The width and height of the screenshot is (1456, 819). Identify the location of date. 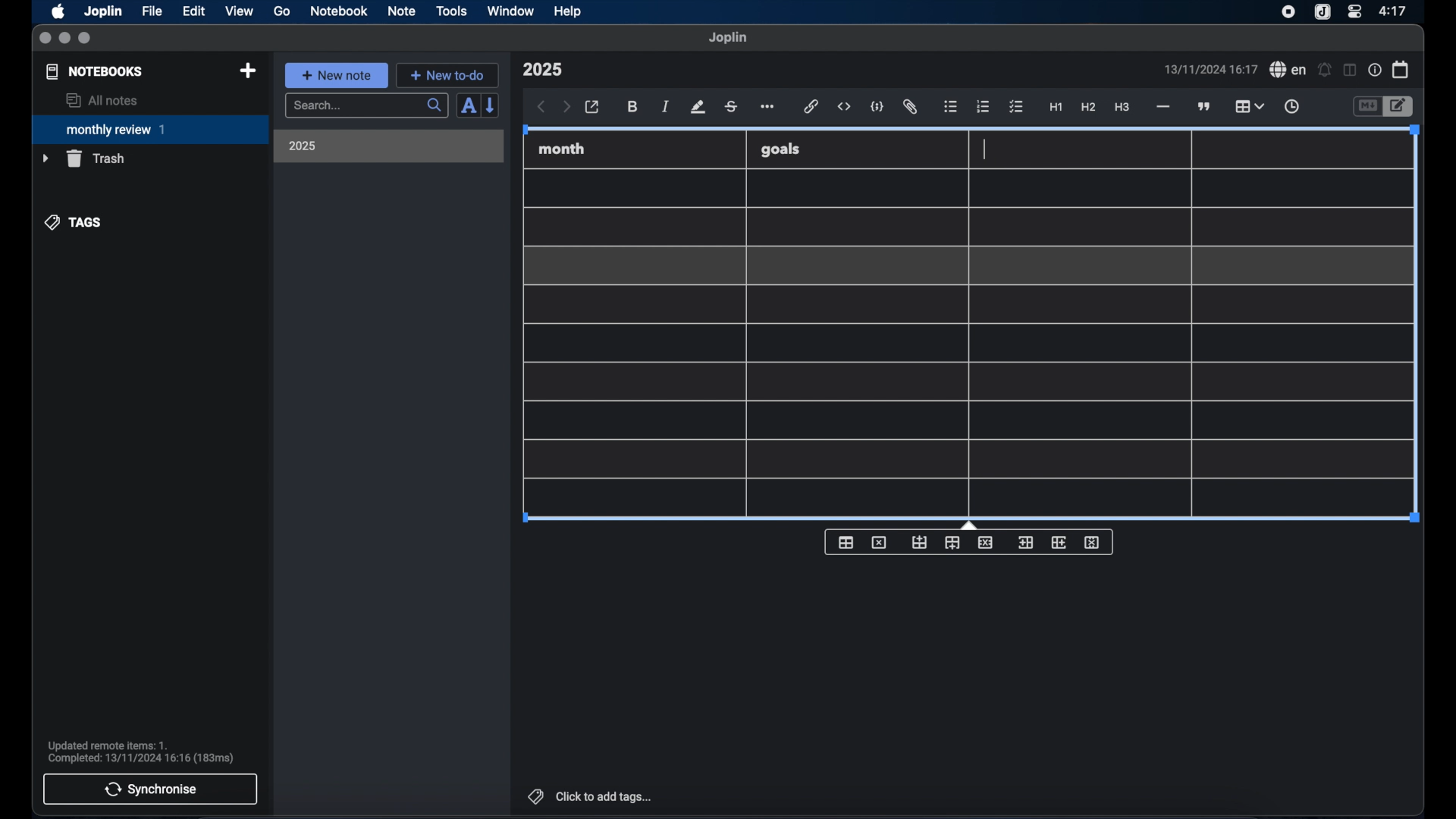
(1210, 69).